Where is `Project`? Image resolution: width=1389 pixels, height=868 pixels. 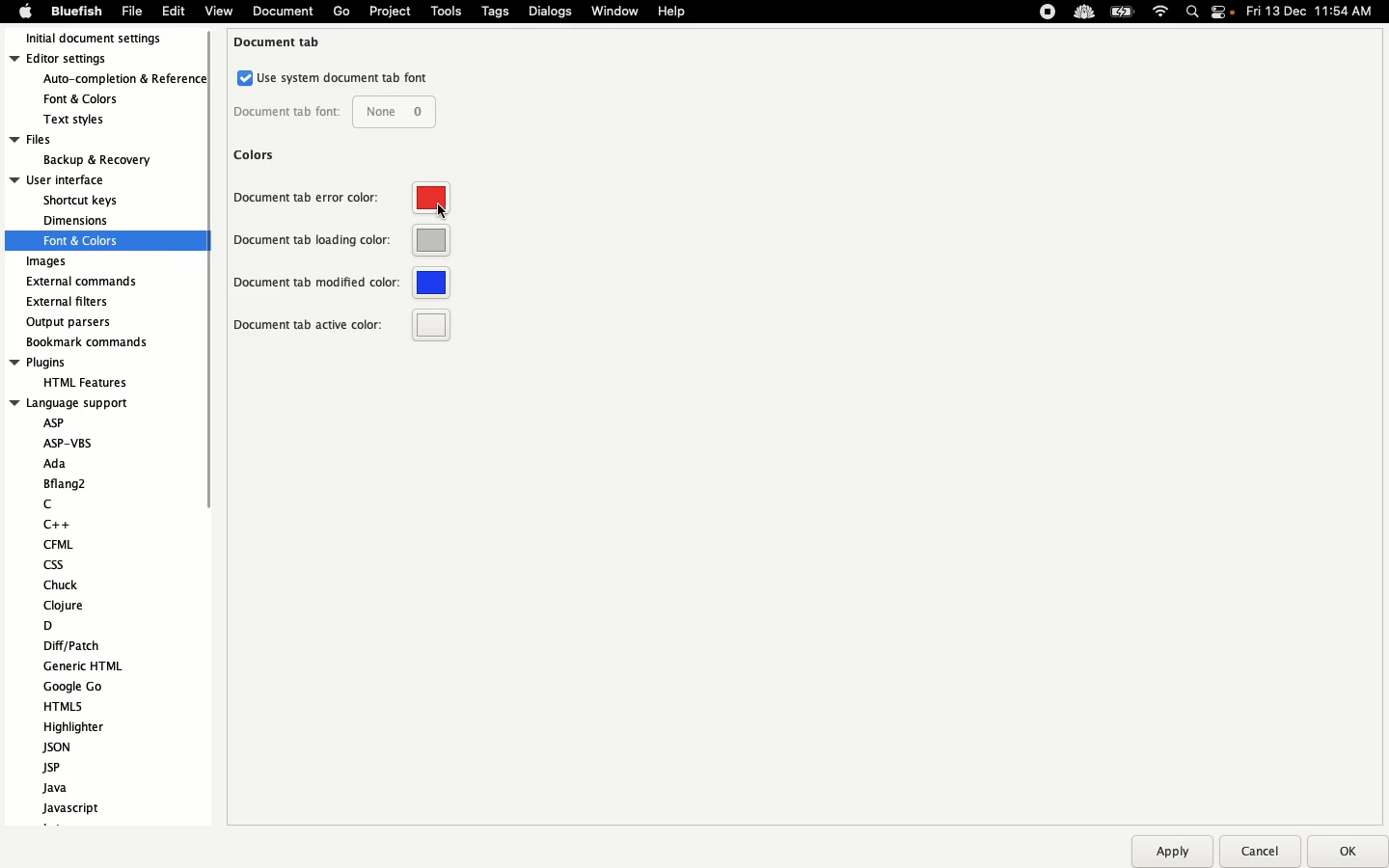 Project is located at coordinates (389, 12).